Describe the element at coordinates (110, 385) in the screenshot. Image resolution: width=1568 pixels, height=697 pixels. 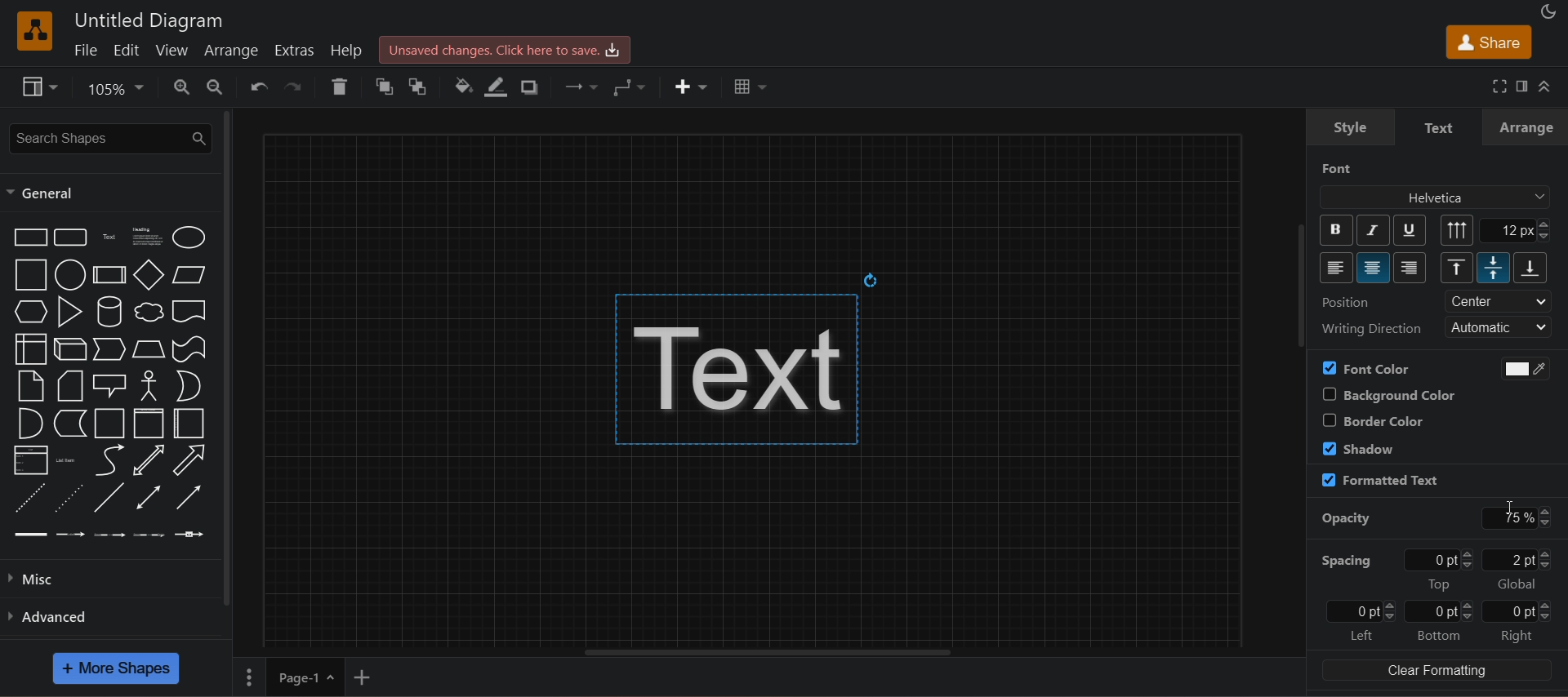
I see `callout` at that location.